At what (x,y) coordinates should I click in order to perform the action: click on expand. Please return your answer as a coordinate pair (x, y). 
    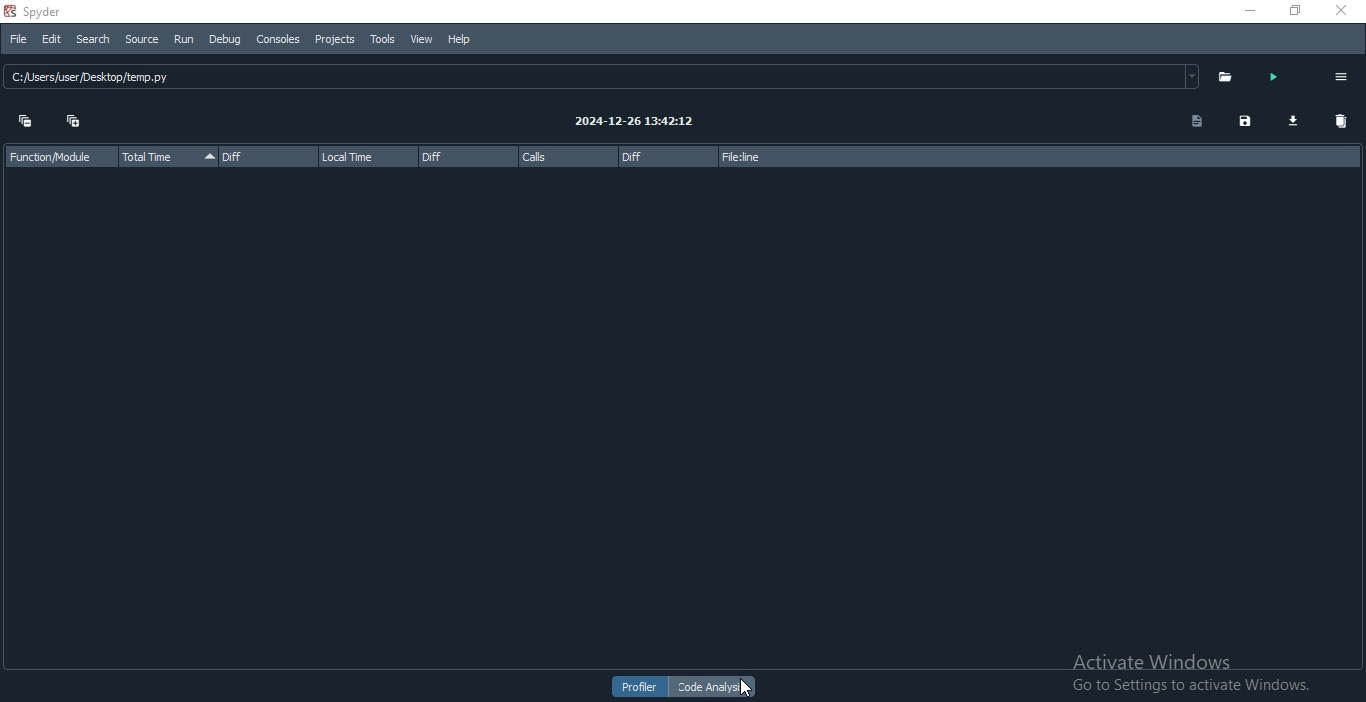
    Looking at the image, I should click on (74, 123).